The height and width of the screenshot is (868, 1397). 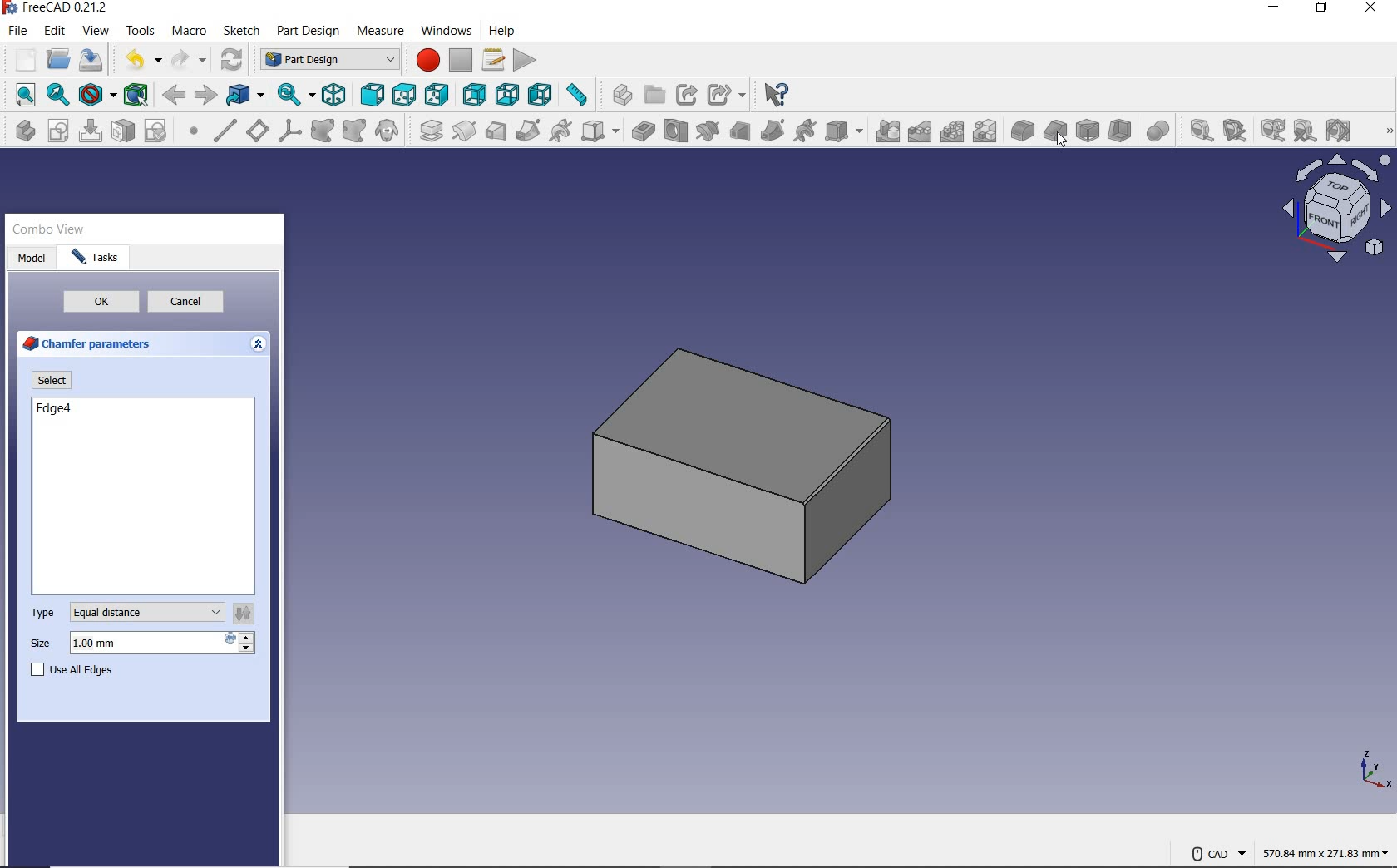 What do you see at coordinates (542, 95) in the screenshot?
I see `left` at bounding box center [542, 95].